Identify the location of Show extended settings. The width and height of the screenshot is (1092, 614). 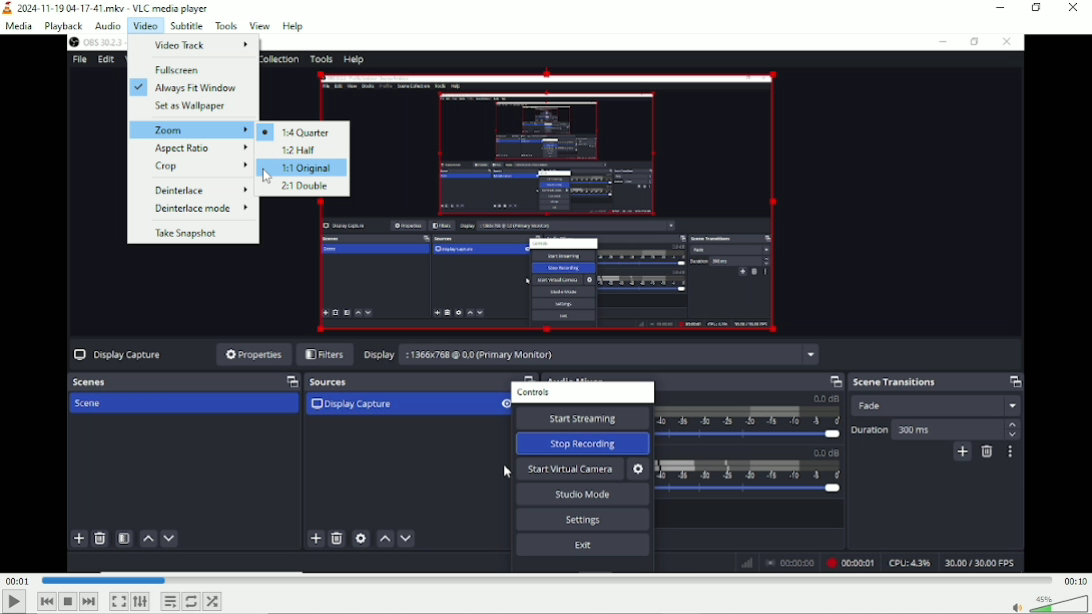
(140, 602).